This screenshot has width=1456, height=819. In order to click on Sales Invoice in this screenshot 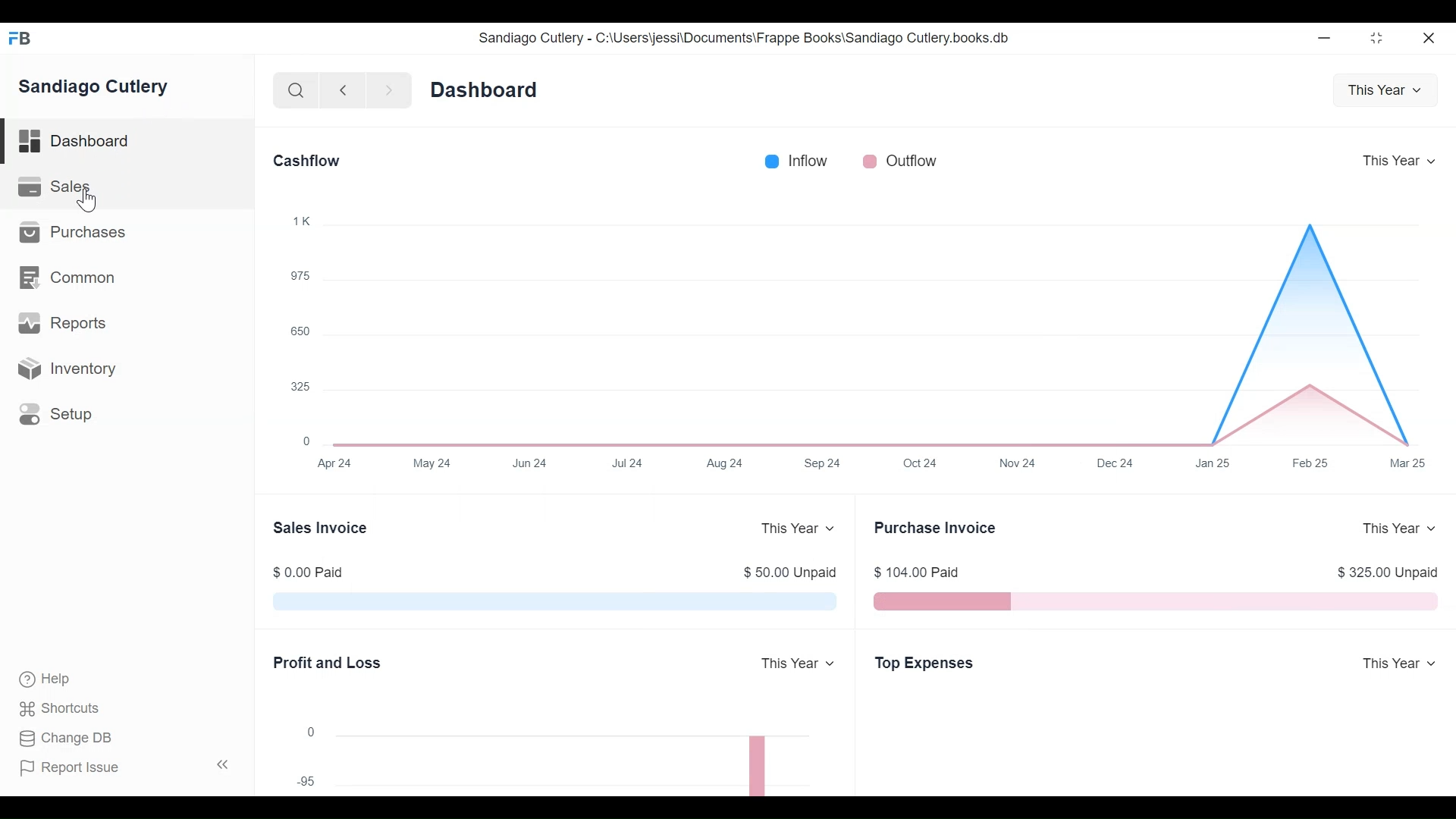, I will do `click(320, 531)`.